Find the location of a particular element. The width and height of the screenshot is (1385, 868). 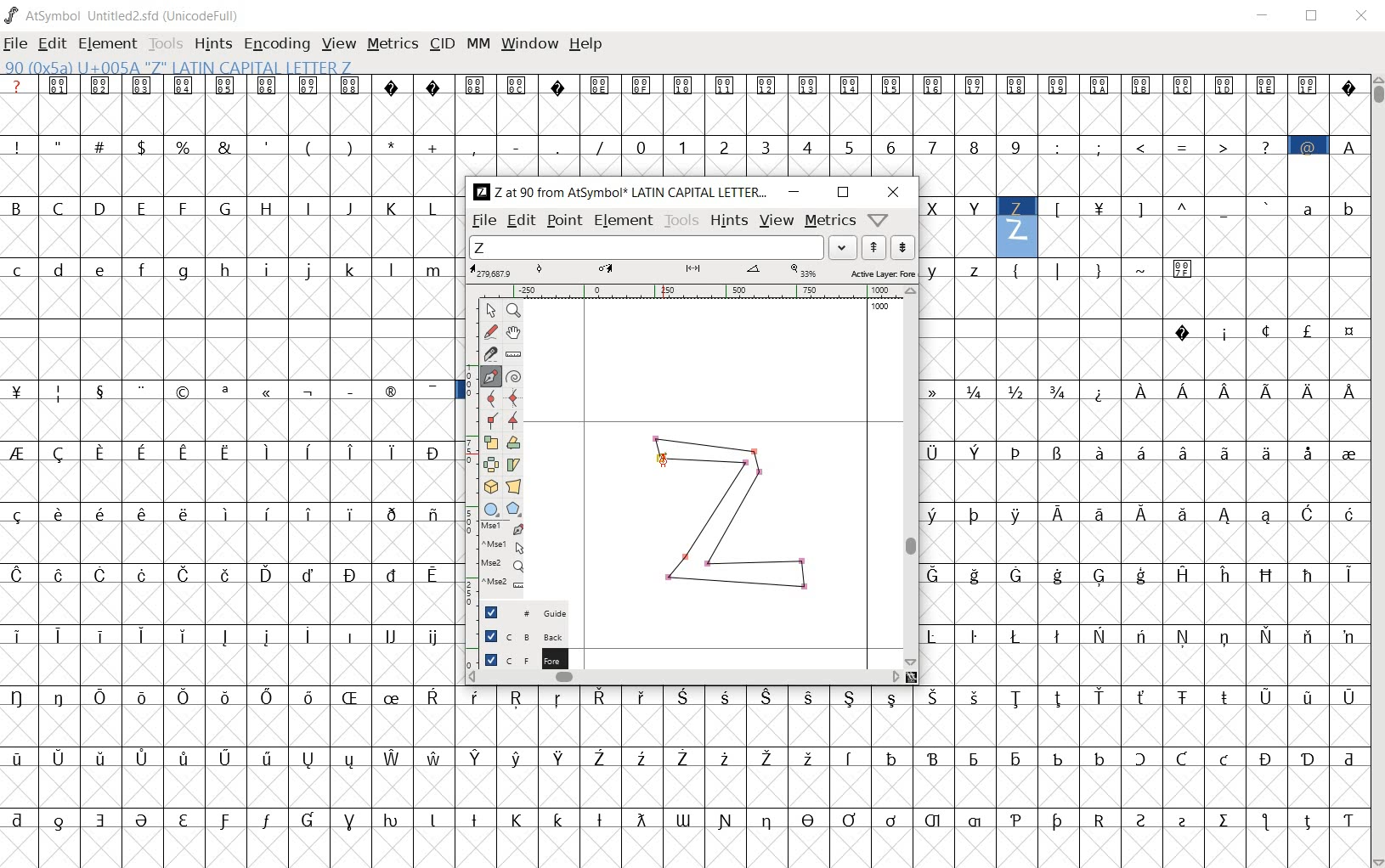

add a curve point is located at coordinates (489, 398).